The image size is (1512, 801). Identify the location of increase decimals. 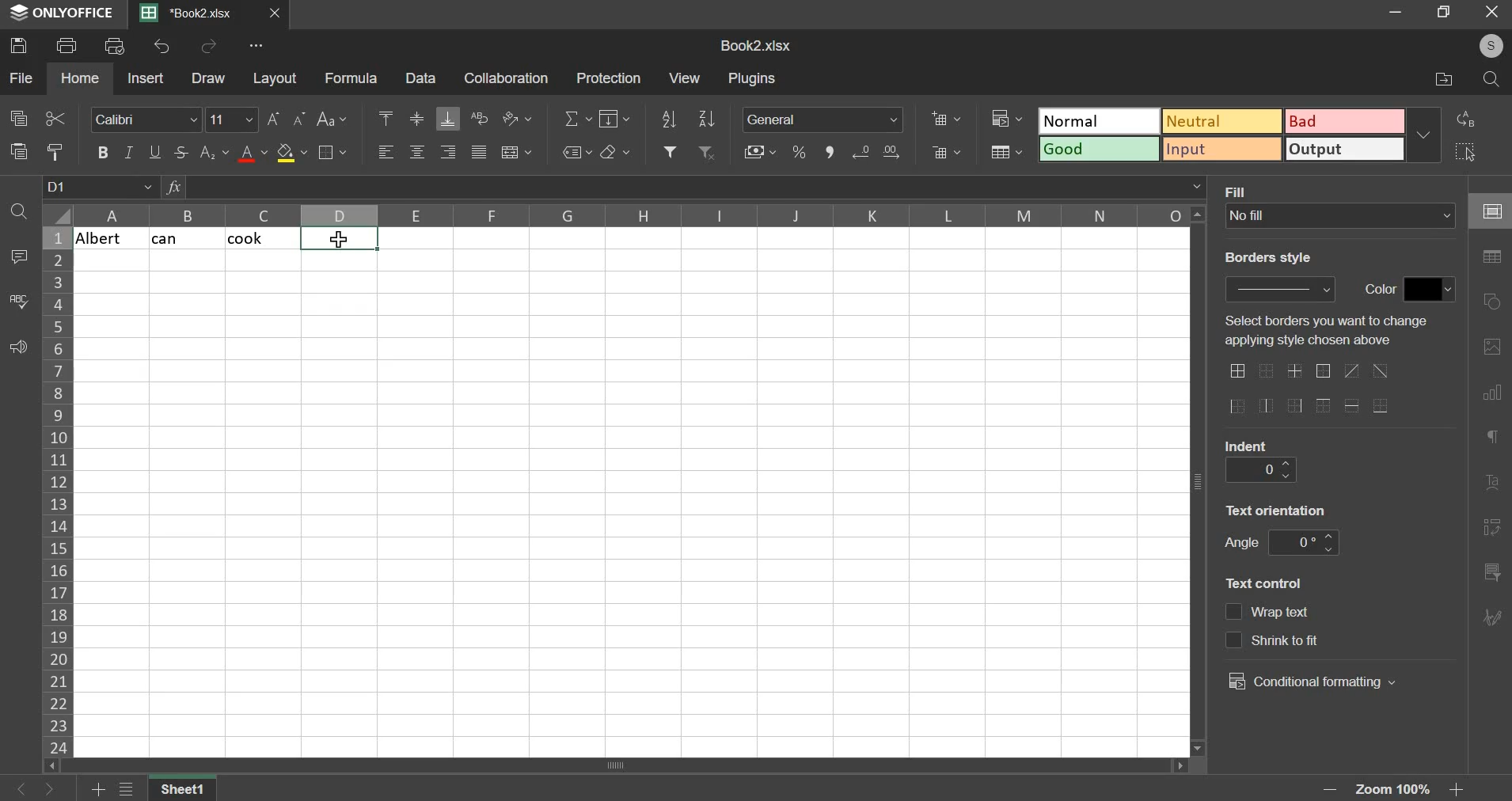
(861, 150).